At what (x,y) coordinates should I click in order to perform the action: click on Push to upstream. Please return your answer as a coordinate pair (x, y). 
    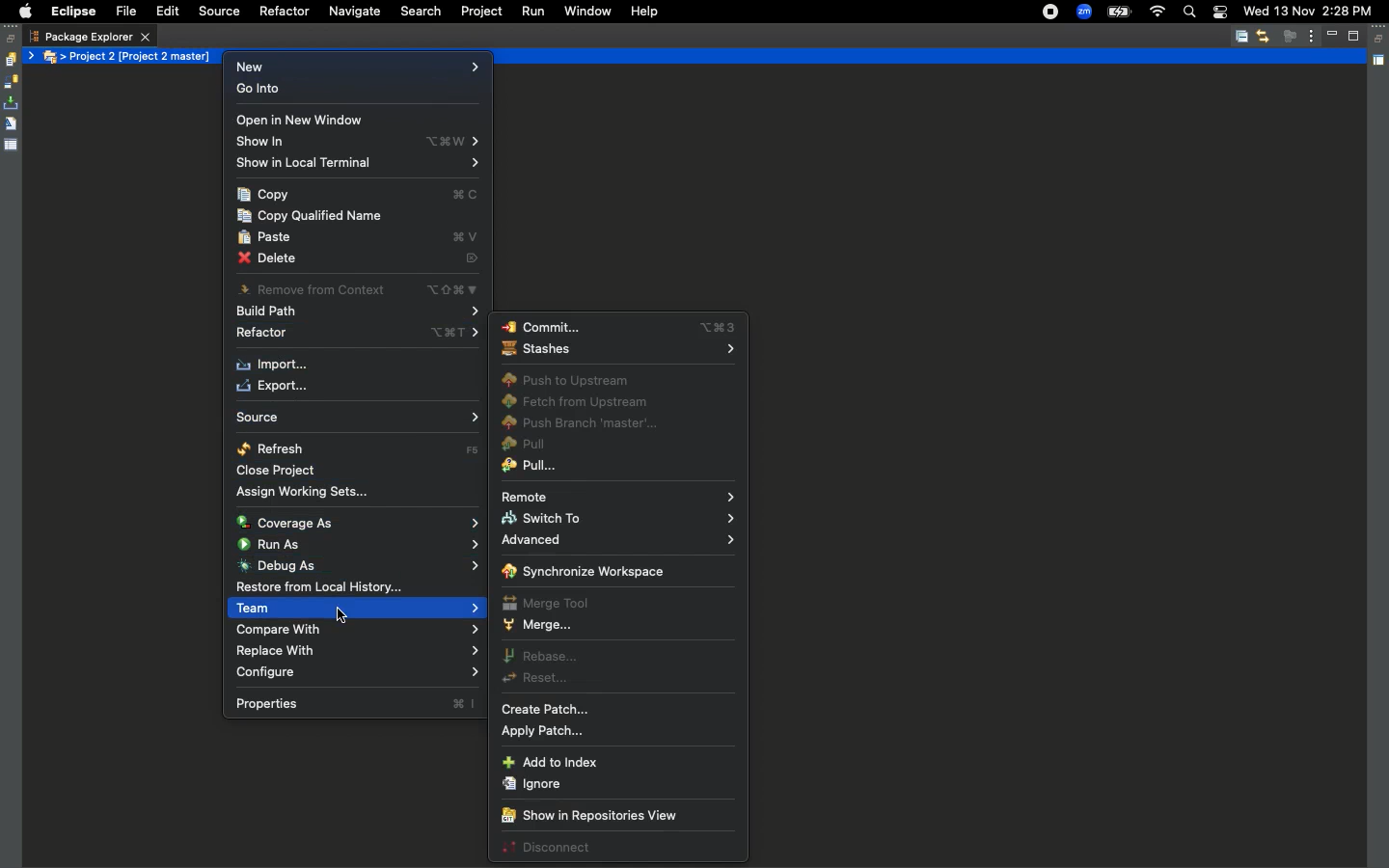
    Looking at the image, I should click on (566, 381).